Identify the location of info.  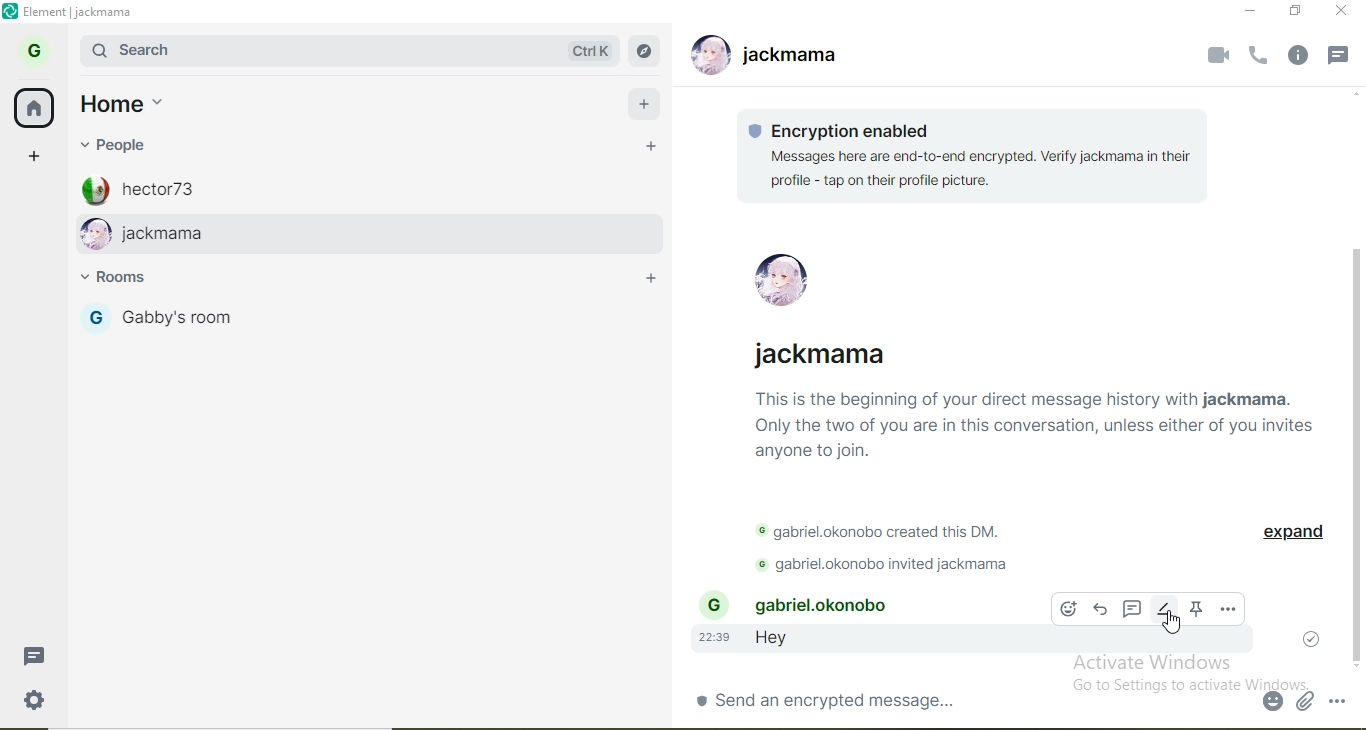
(1295, 57).